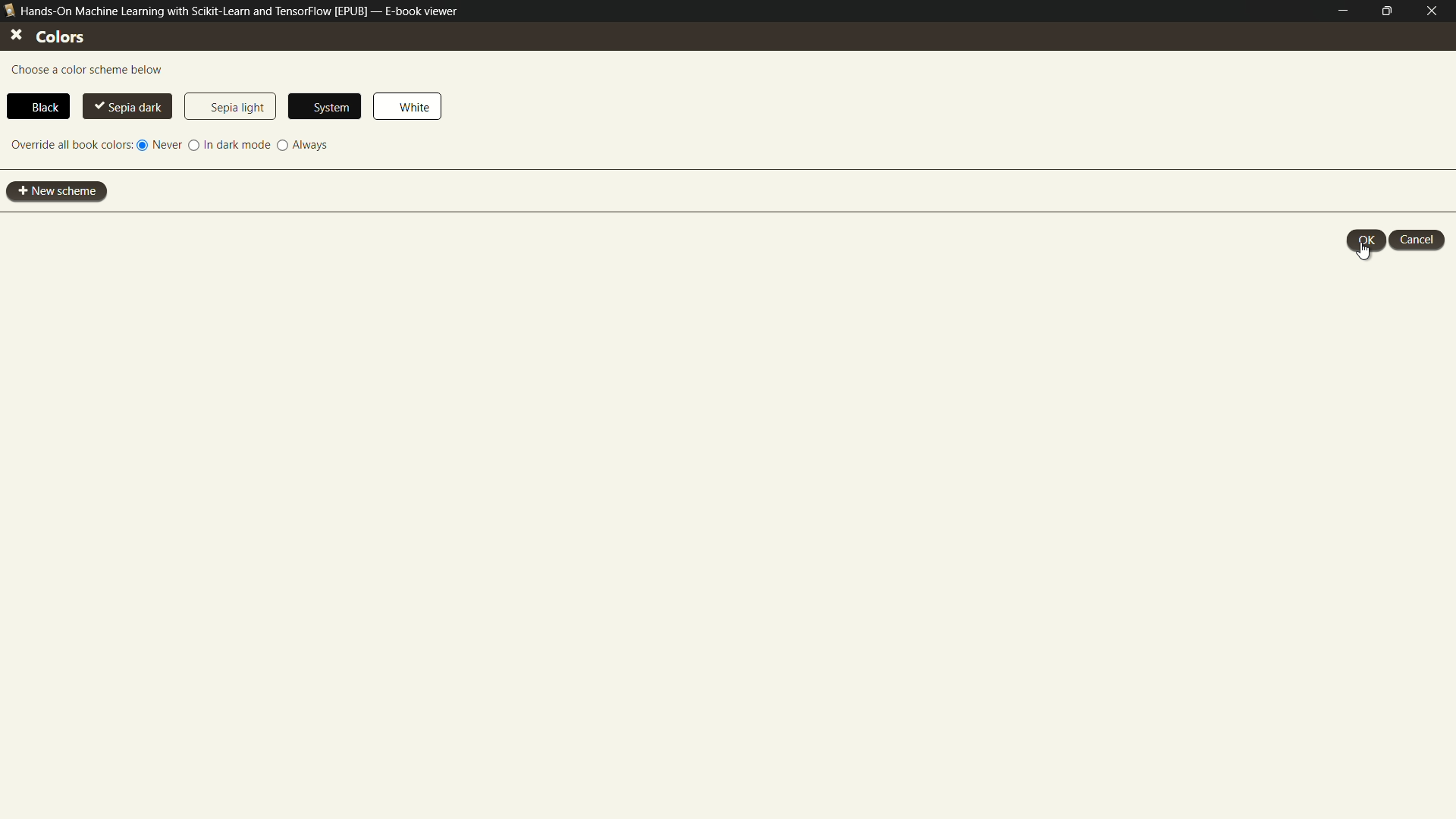 The width and height of the screenshot is (1456, 819). Describe the element at coordinates (1436, 11) in the screenshot. I see `close e-book viewer mode` at that location.